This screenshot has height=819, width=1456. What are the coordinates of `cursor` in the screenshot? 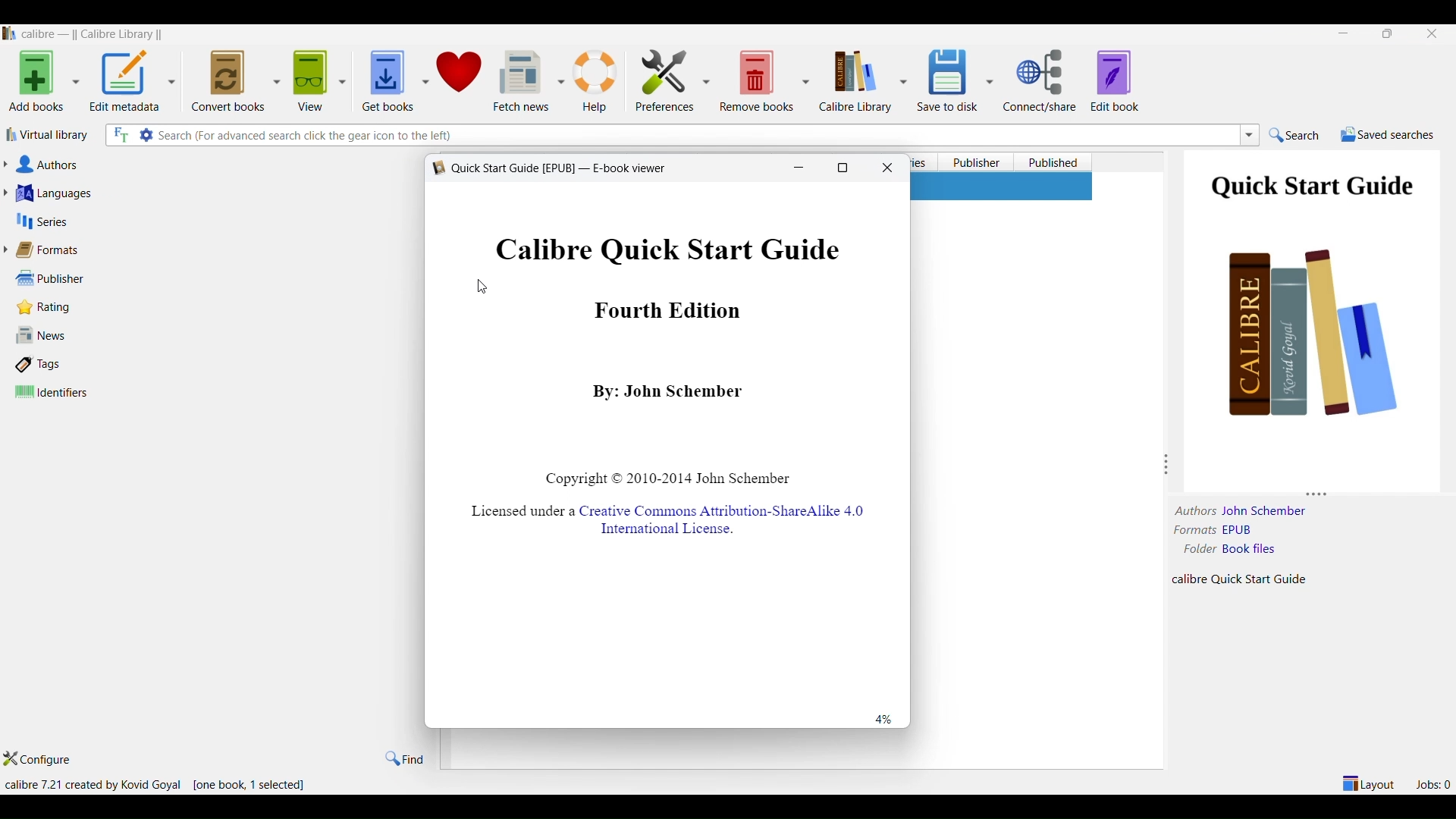 It's located at (481, 287).